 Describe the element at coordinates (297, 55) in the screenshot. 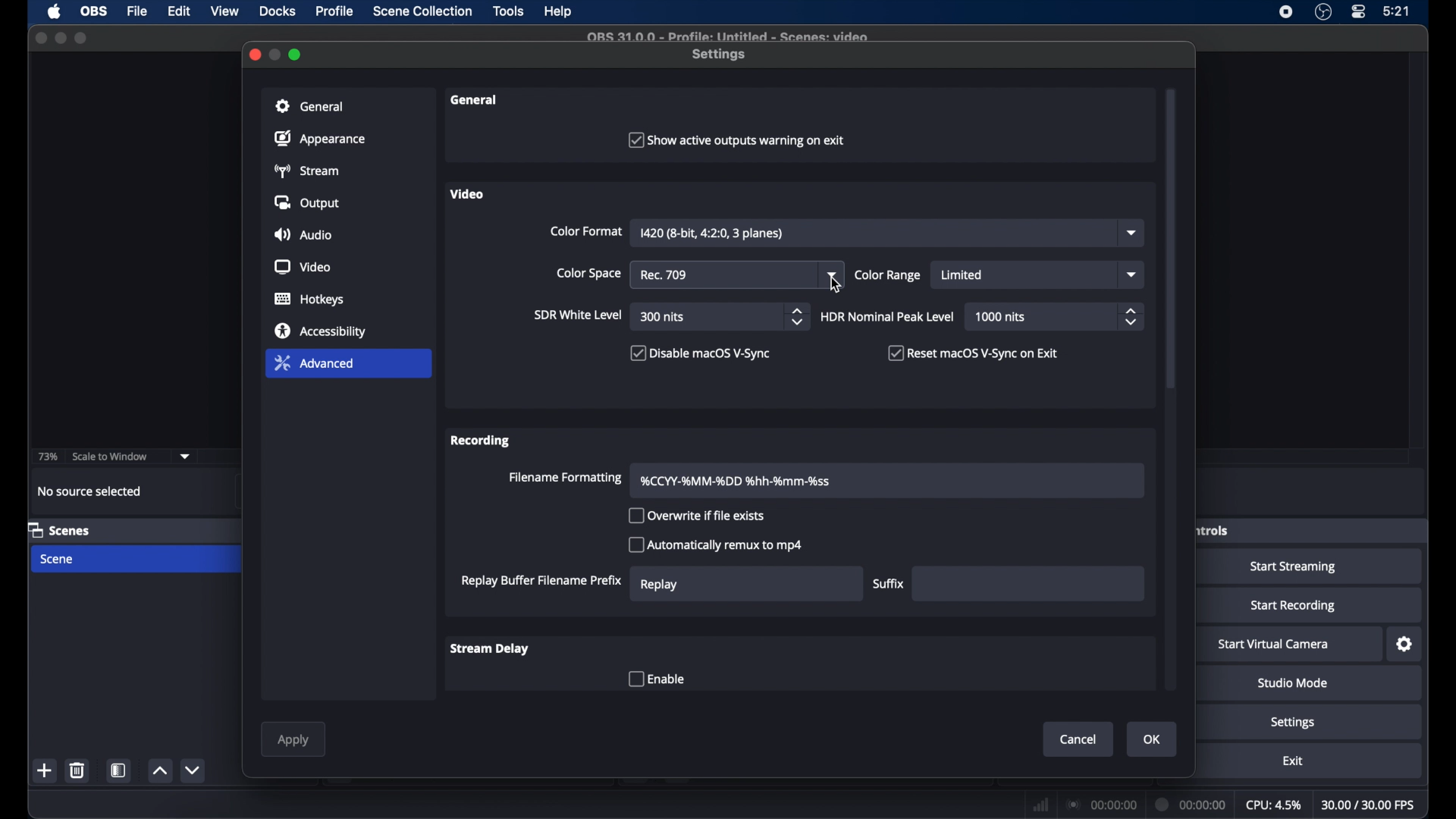

I see `maximize` at that location.